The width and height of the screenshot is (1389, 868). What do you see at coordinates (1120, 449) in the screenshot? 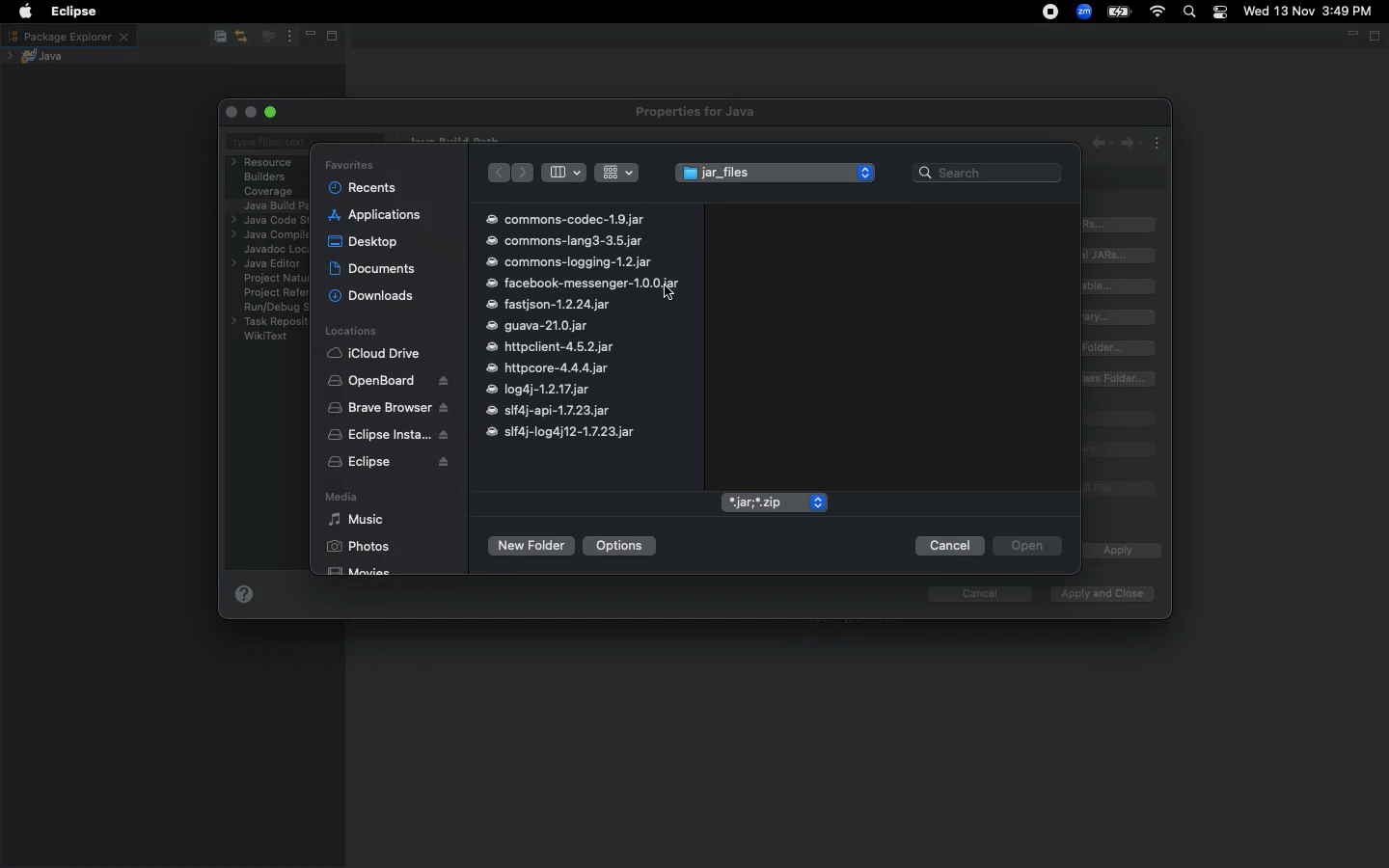
I see `Remove` at bounding box center [1120, 449].